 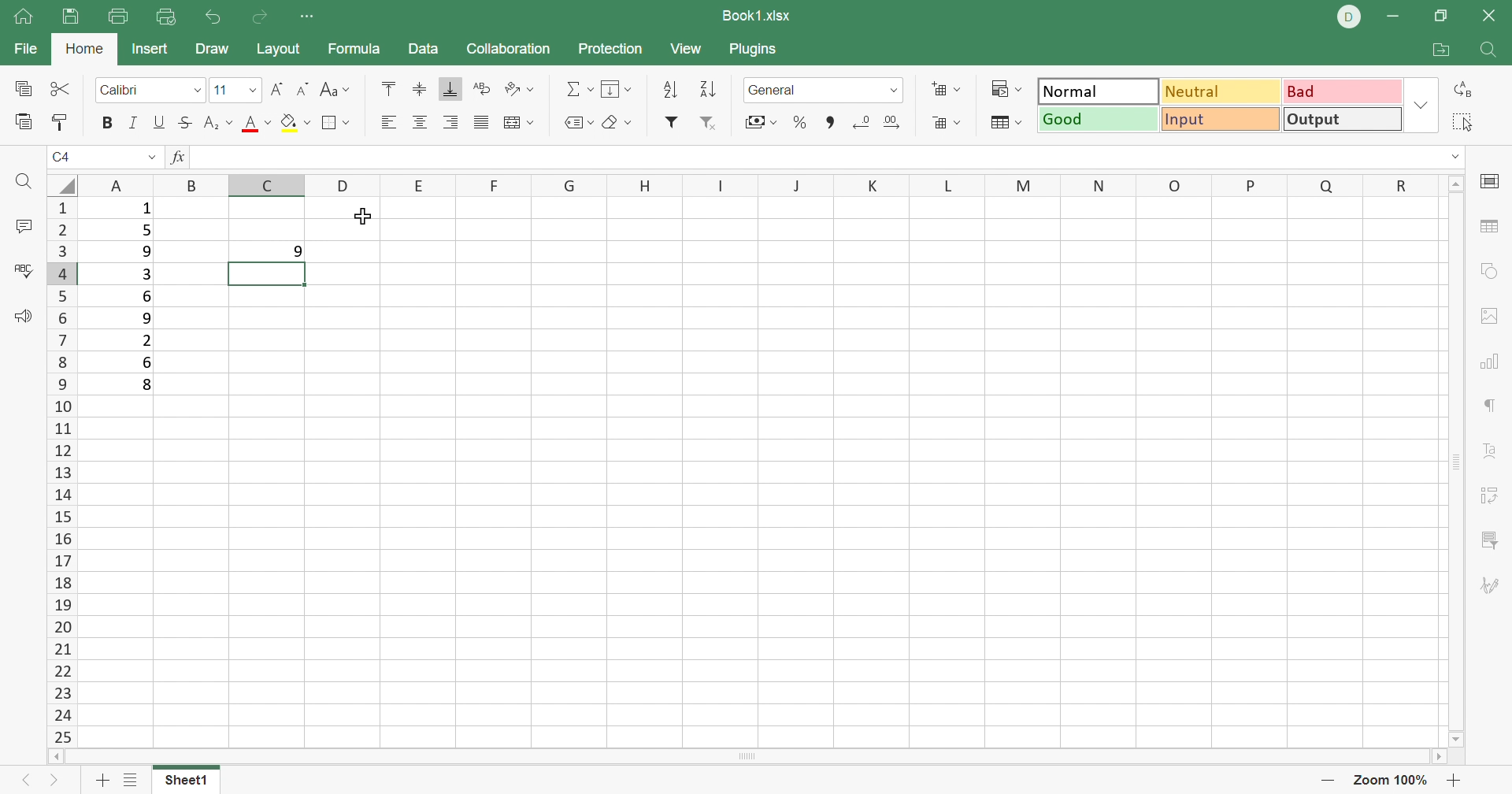 I want to click on Delete cells, so click(x=947, y=123).